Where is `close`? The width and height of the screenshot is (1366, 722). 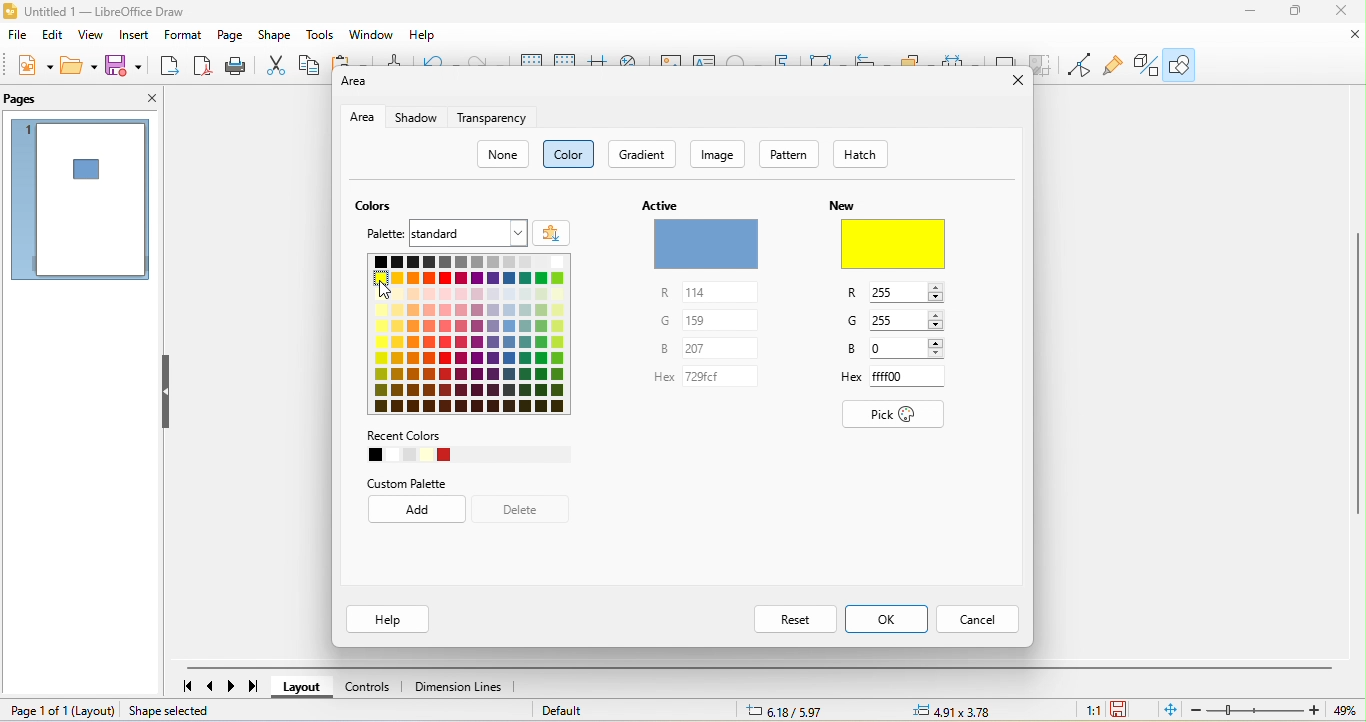 close is located at coordinates (1343, 12).